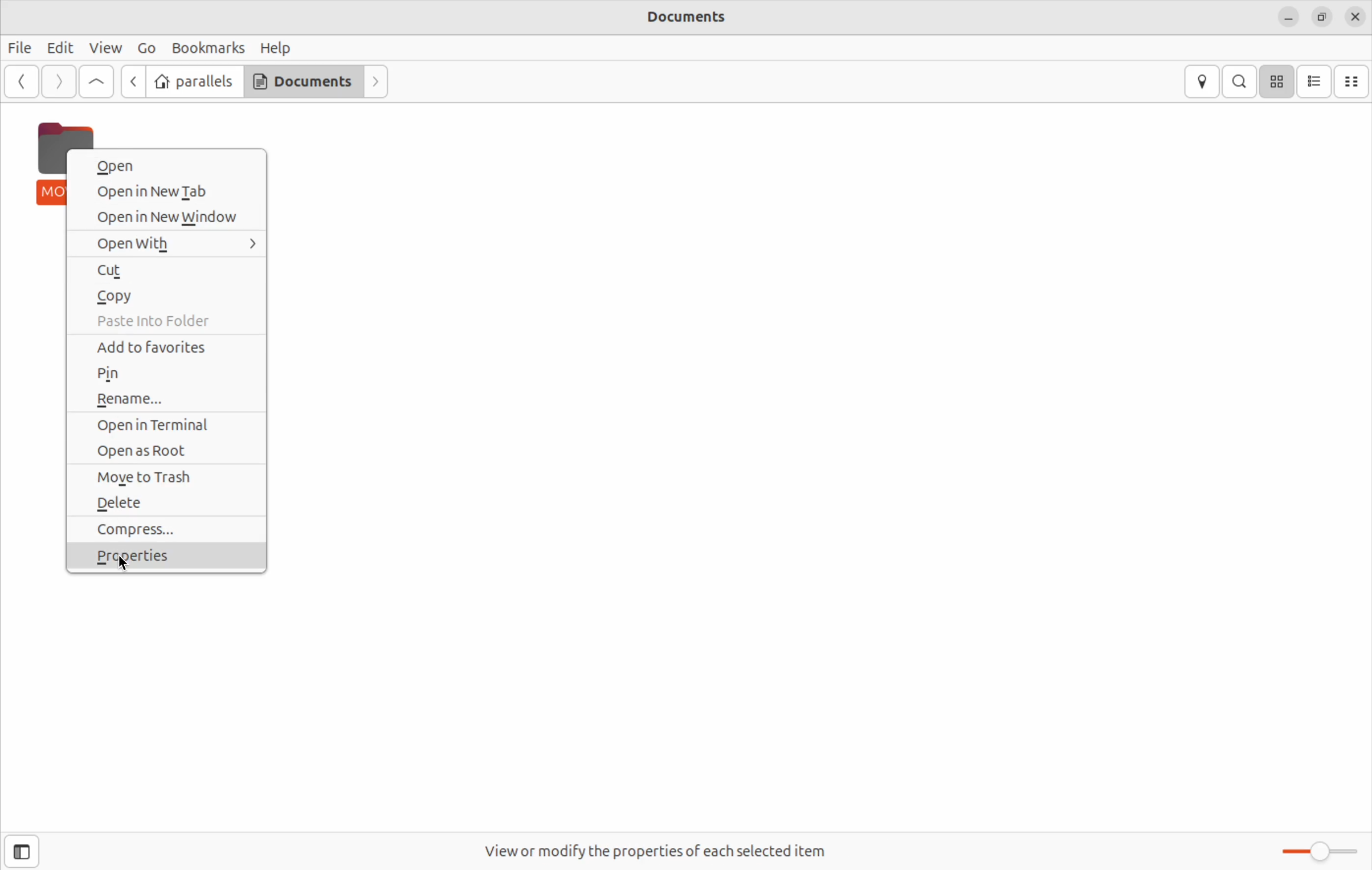 Image resolution: width=1372 pixels, height=870 pixels. I want to click on list view, so click(1315, 80).